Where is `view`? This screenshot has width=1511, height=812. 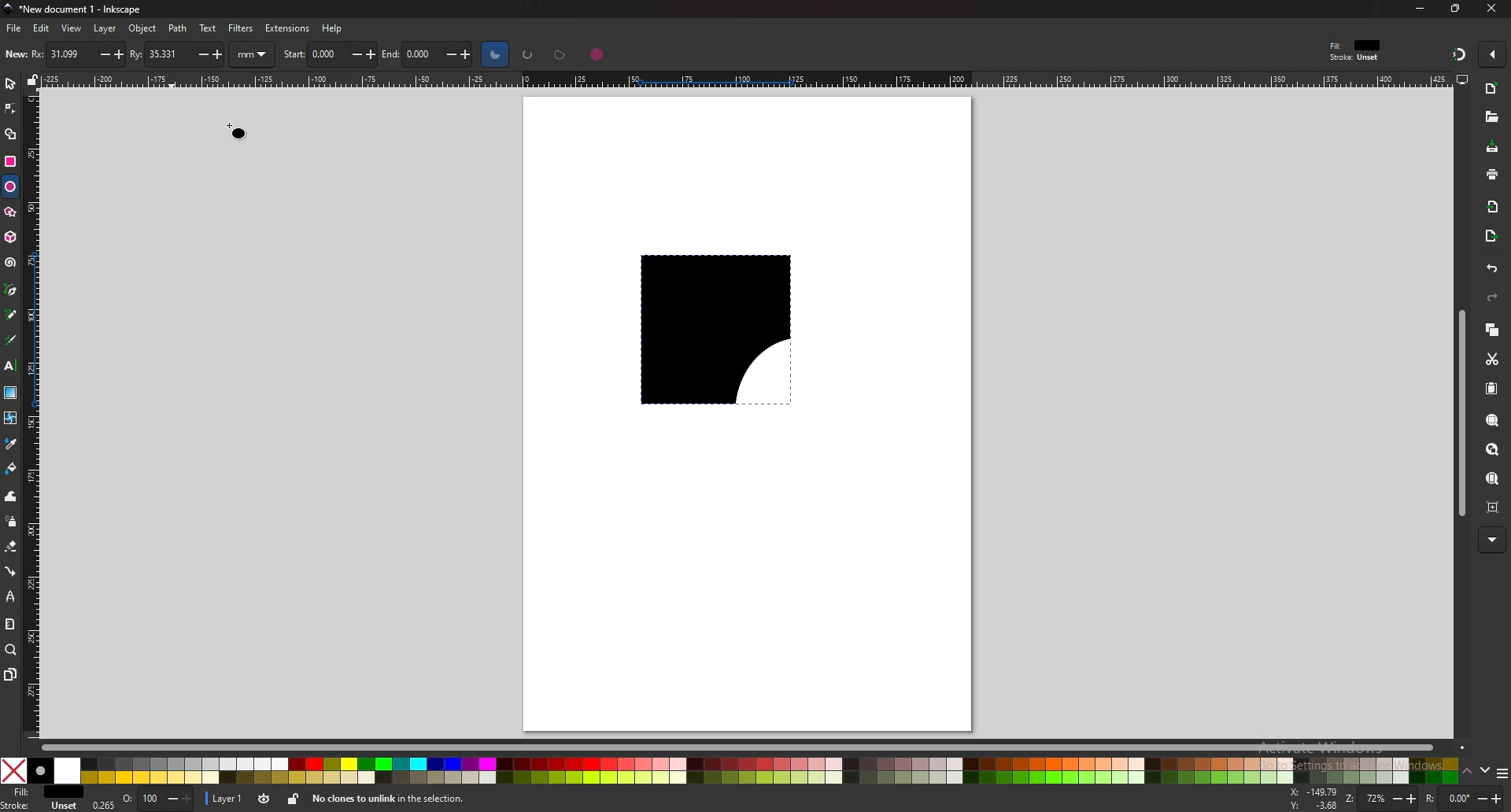 view is located at coordinates (72, 28).